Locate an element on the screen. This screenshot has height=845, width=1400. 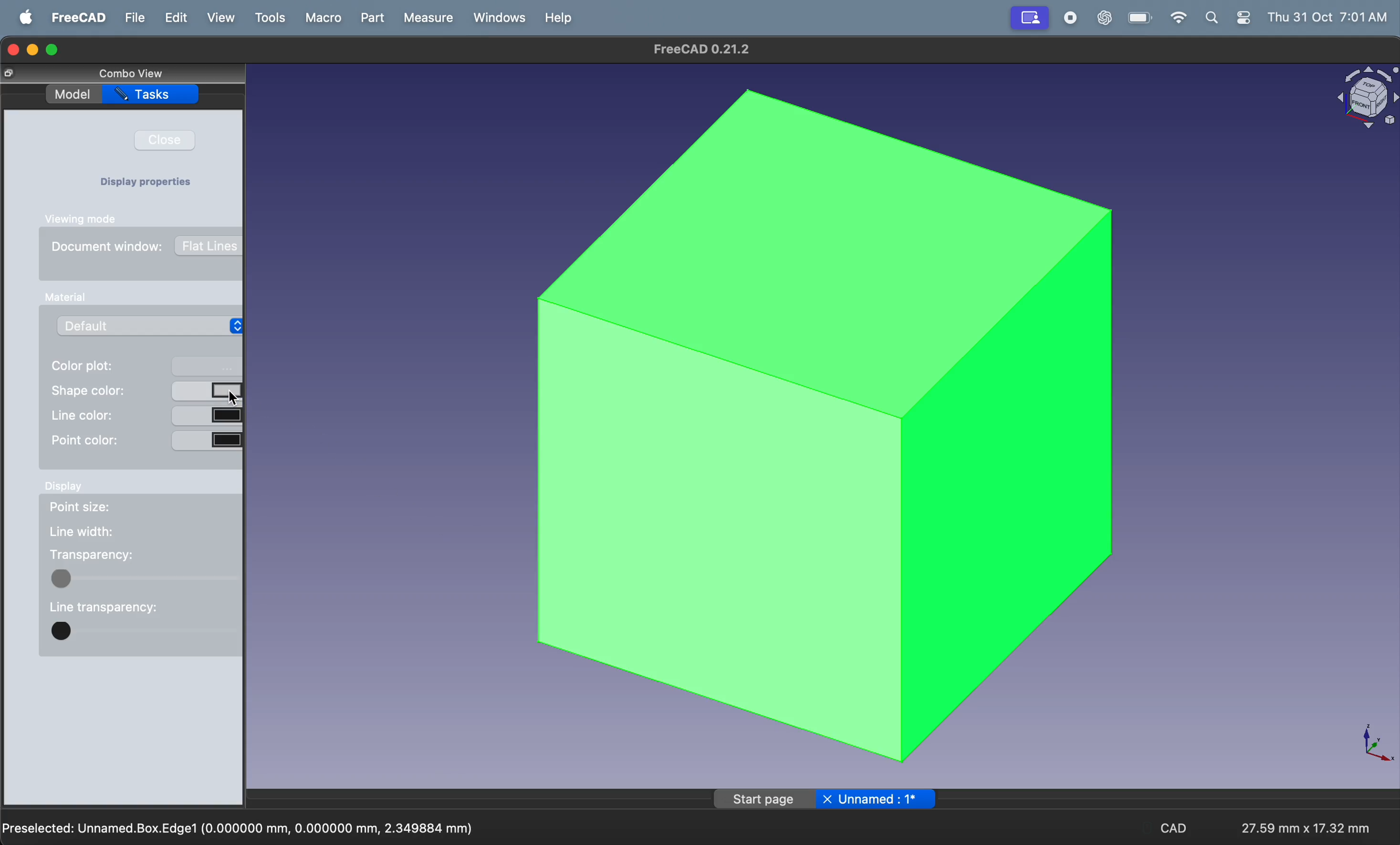
display properties is located at coordinates (151, 183).